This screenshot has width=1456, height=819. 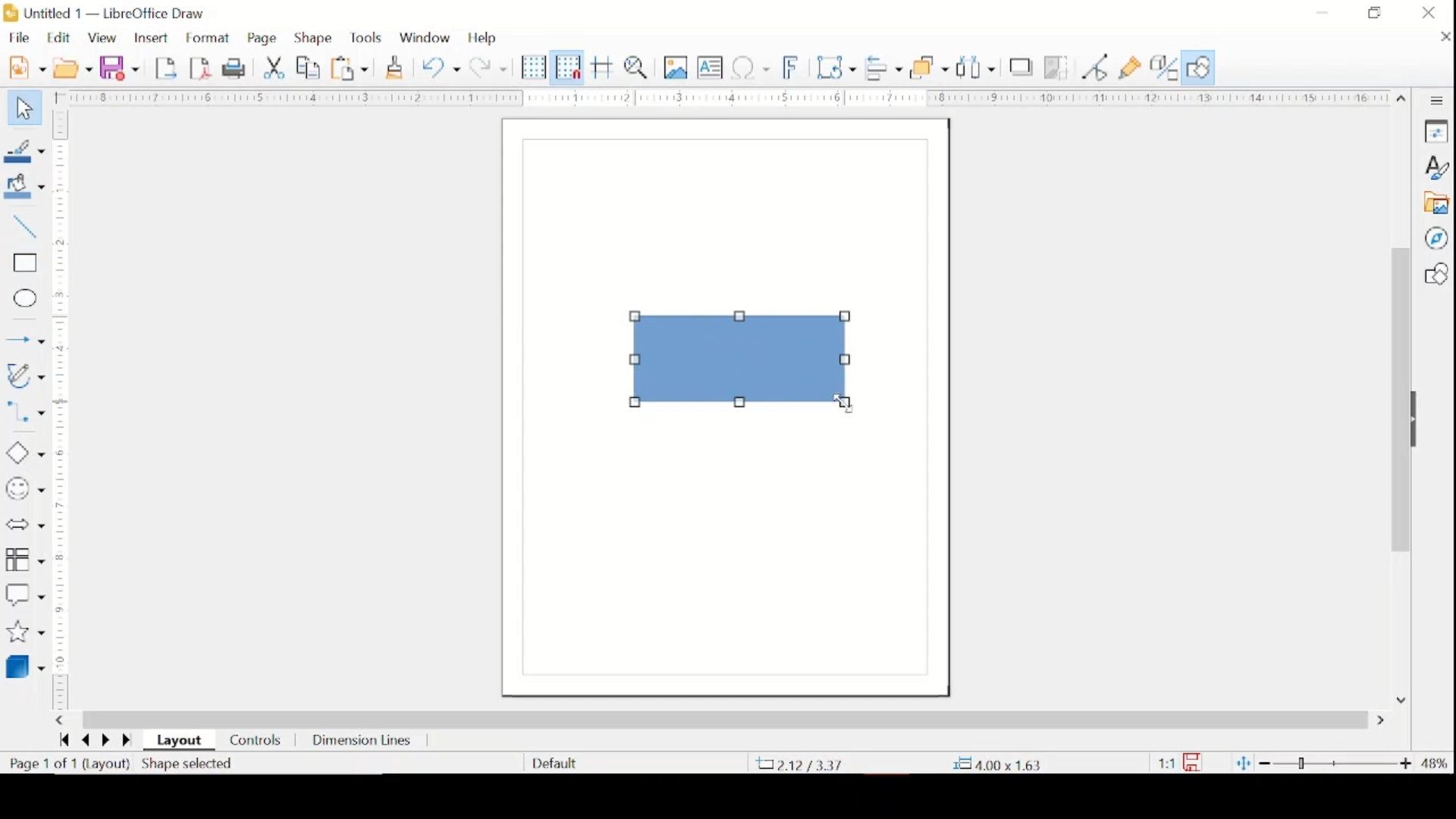 What do you see at coordinates (24, 377) in the screenshot?
I see `insert curves and polygons` at bounding box center [24, 377].